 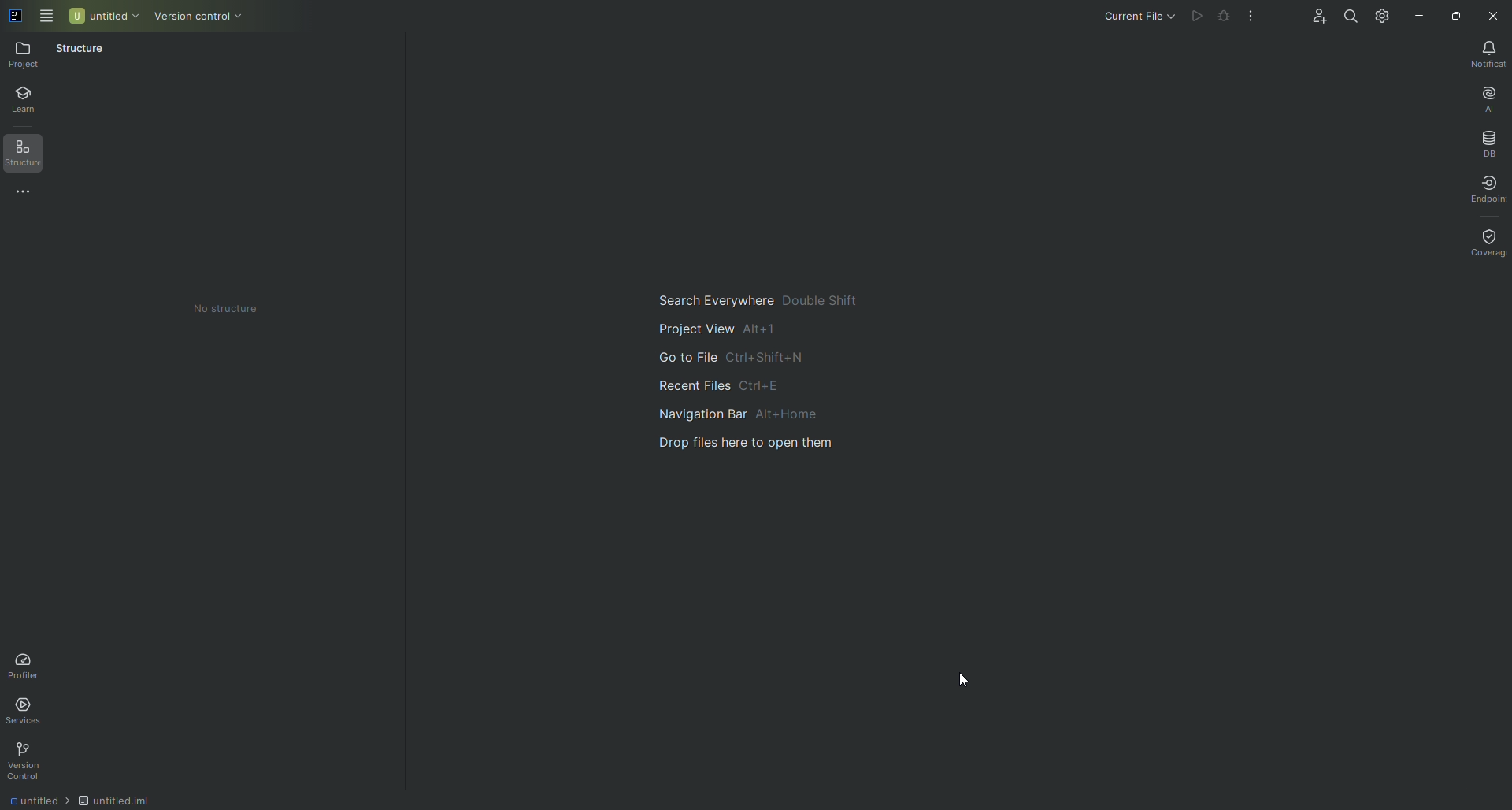 I want to click on Version Control, so click(x=28, y=761).